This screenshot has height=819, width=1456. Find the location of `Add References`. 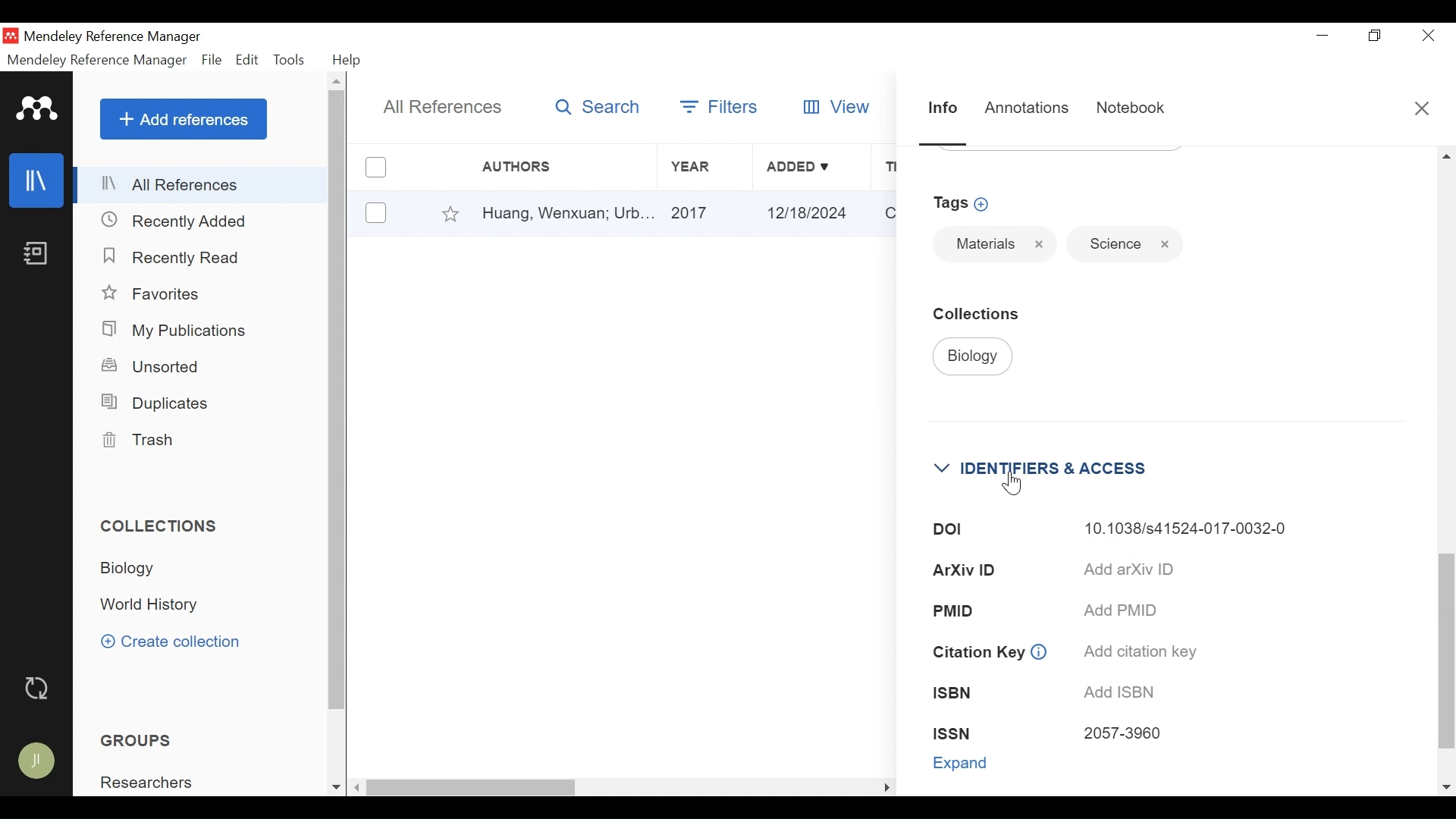

Add References is located at coordinates (184, 119).